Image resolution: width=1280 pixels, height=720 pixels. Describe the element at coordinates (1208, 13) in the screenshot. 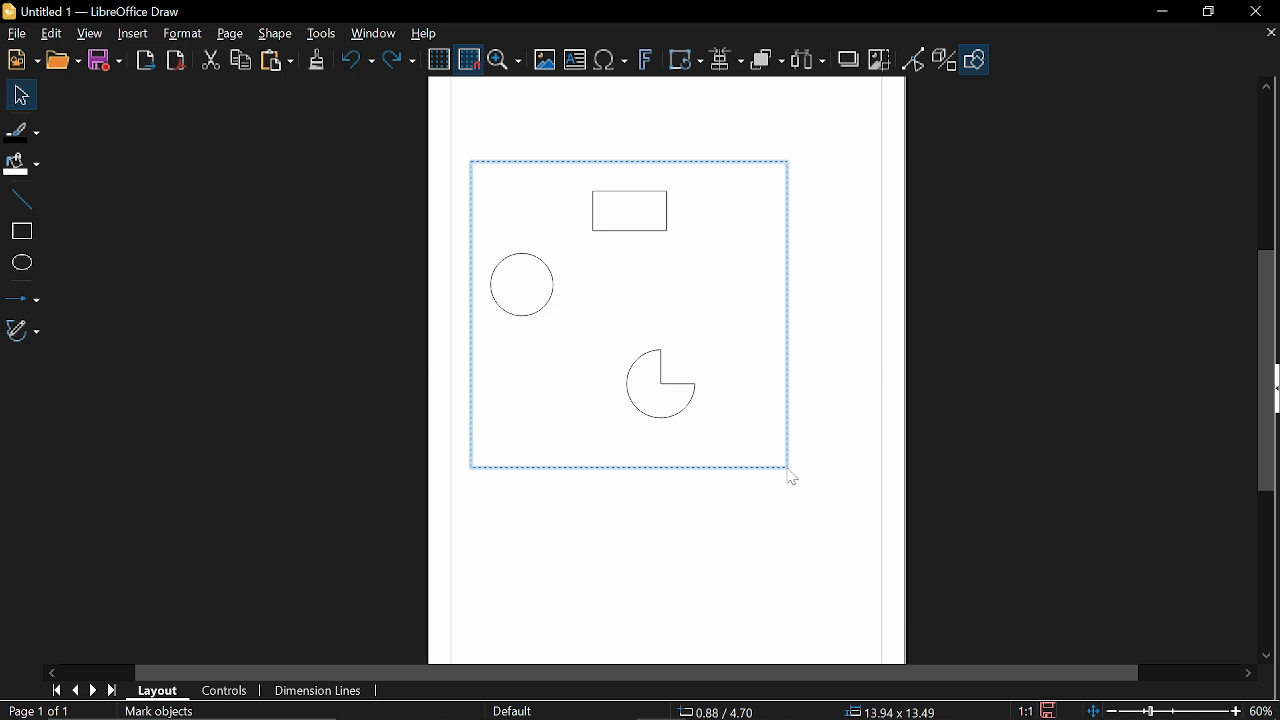

I see `Restore down` at that location.